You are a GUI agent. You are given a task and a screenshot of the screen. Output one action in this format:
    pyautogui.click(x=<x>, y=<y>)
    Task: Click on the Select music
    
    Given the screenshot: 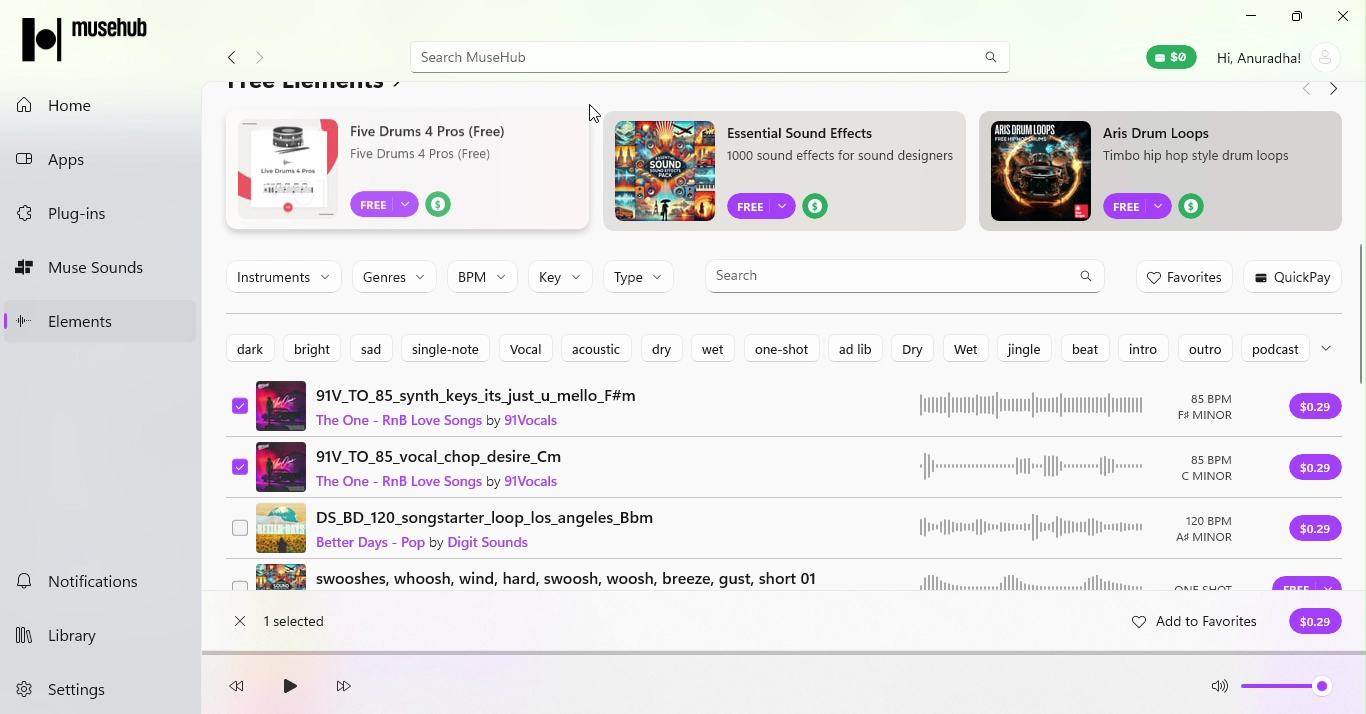 What is the action you would take?
    pyautogui.click(x=242, y=591)
    